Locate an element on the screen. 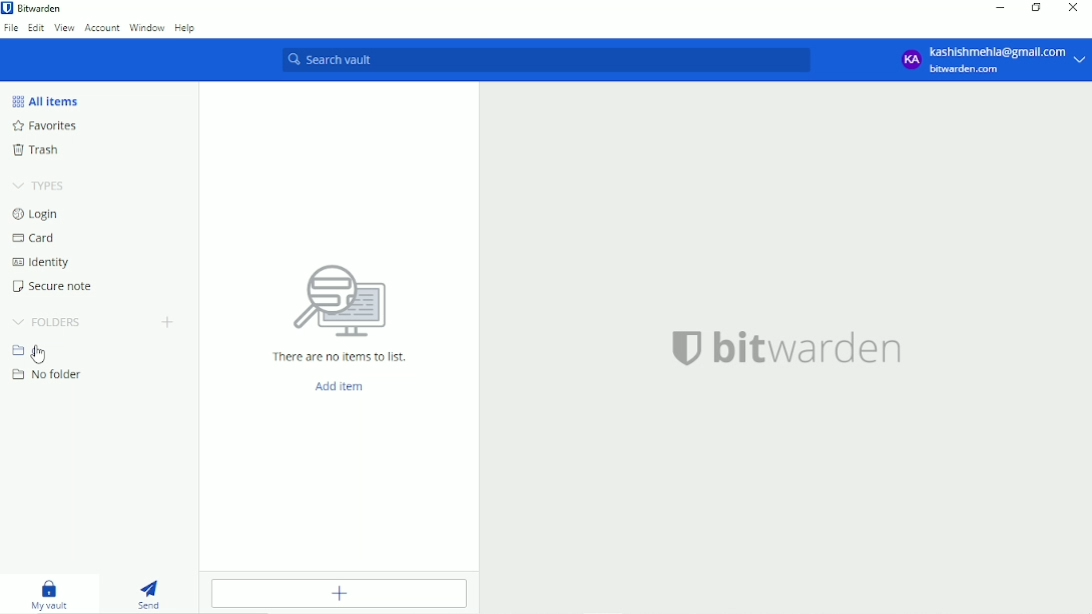 The height and width of the screenshot is (614, 1092). Login is located at coordinates (40, 214).